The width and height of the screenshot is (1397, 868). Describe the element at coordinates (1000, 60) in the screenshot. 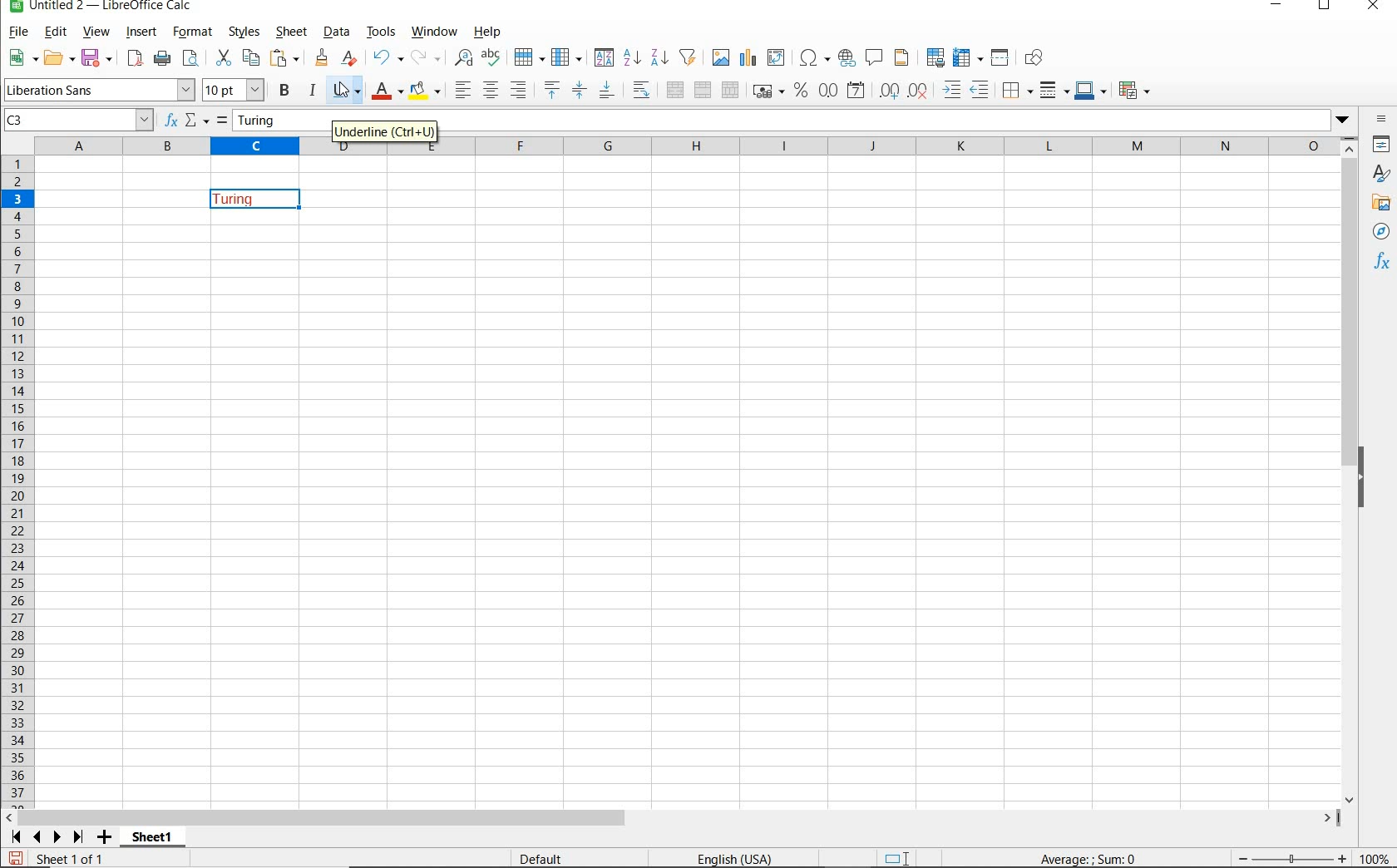

I see `SPLIT WINDOW` at that location.